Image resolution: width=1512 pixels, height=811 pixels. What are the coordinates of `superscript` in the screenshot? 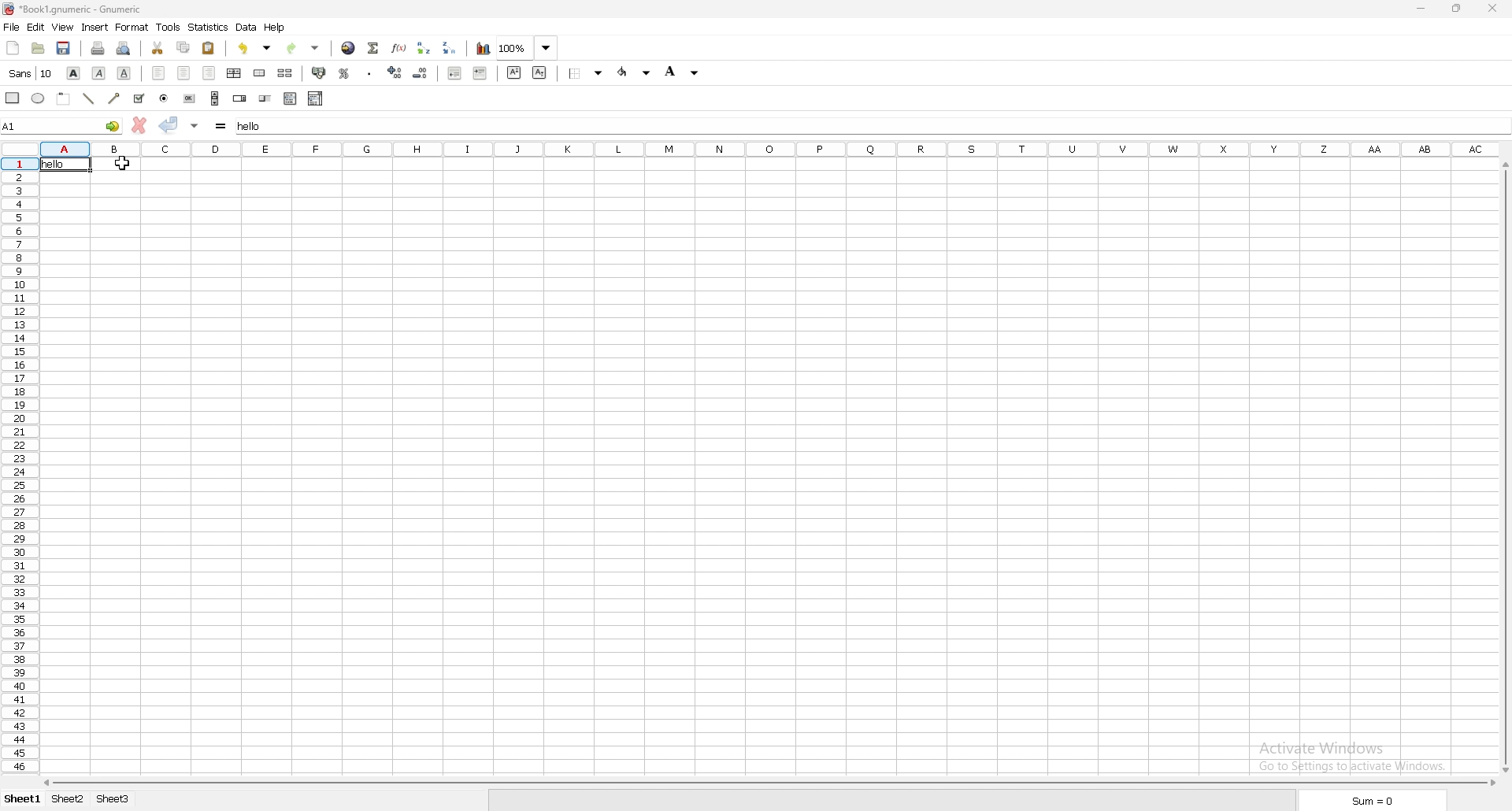 It's located at (514, 72).